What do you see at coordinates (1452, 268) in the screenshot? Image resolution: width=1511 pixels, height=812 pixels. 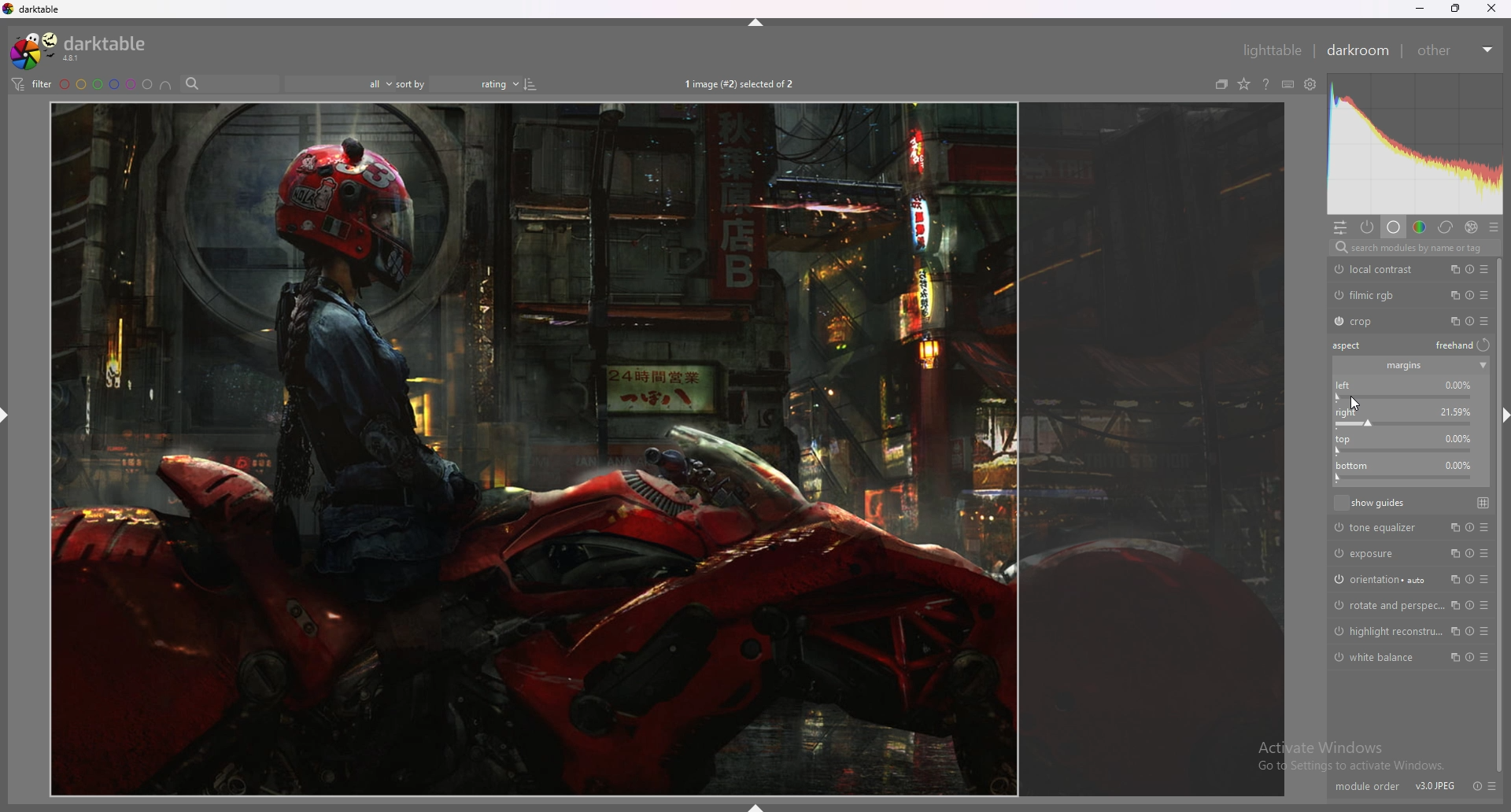 I see `multiple instances action` at bounding box center [1452, 268].